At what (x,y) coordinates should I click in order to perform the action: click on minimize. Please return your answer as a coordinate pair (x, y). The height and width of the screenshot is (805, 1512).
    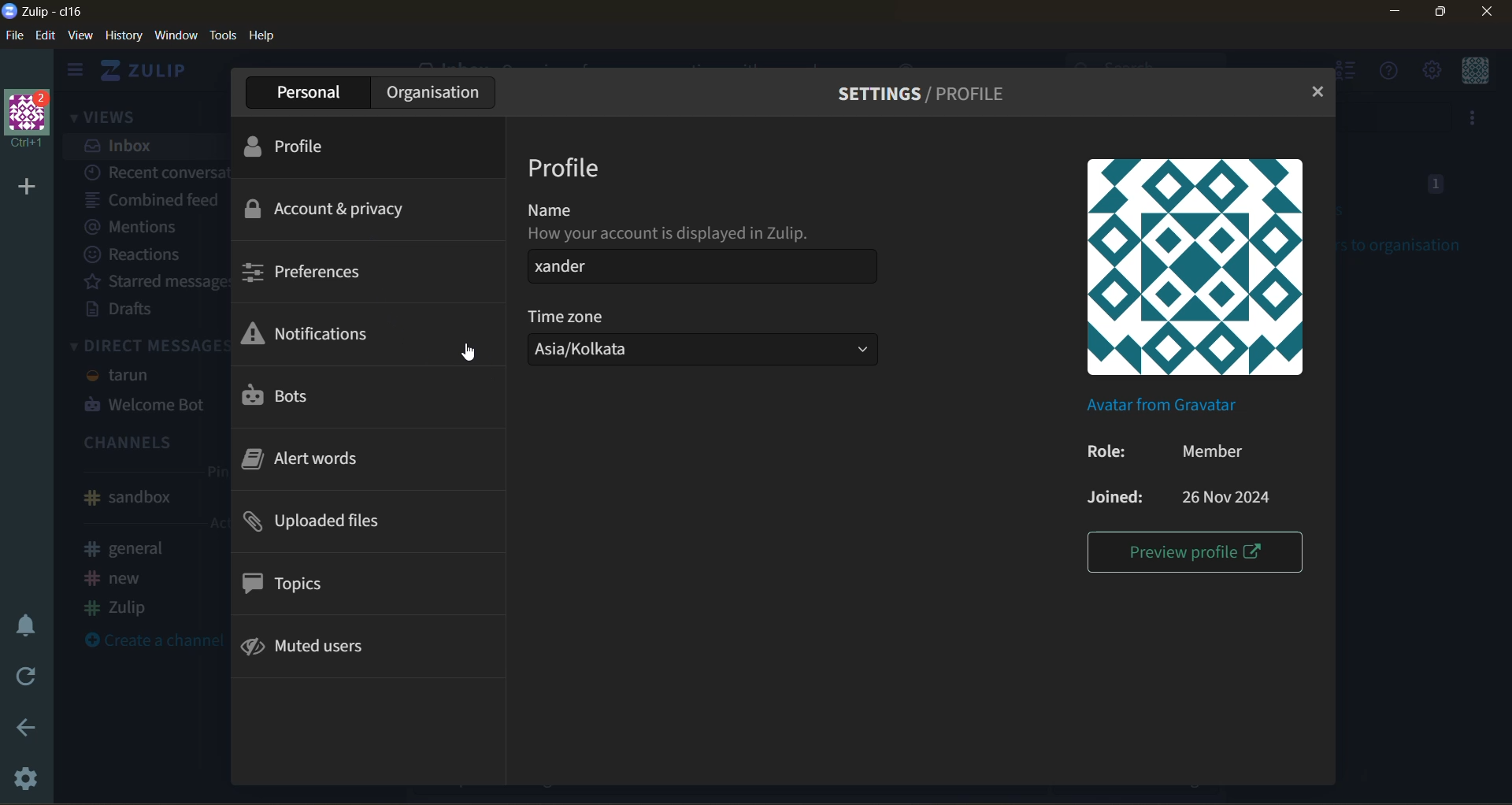
    Looking at the image, I should click on (1389, 14).